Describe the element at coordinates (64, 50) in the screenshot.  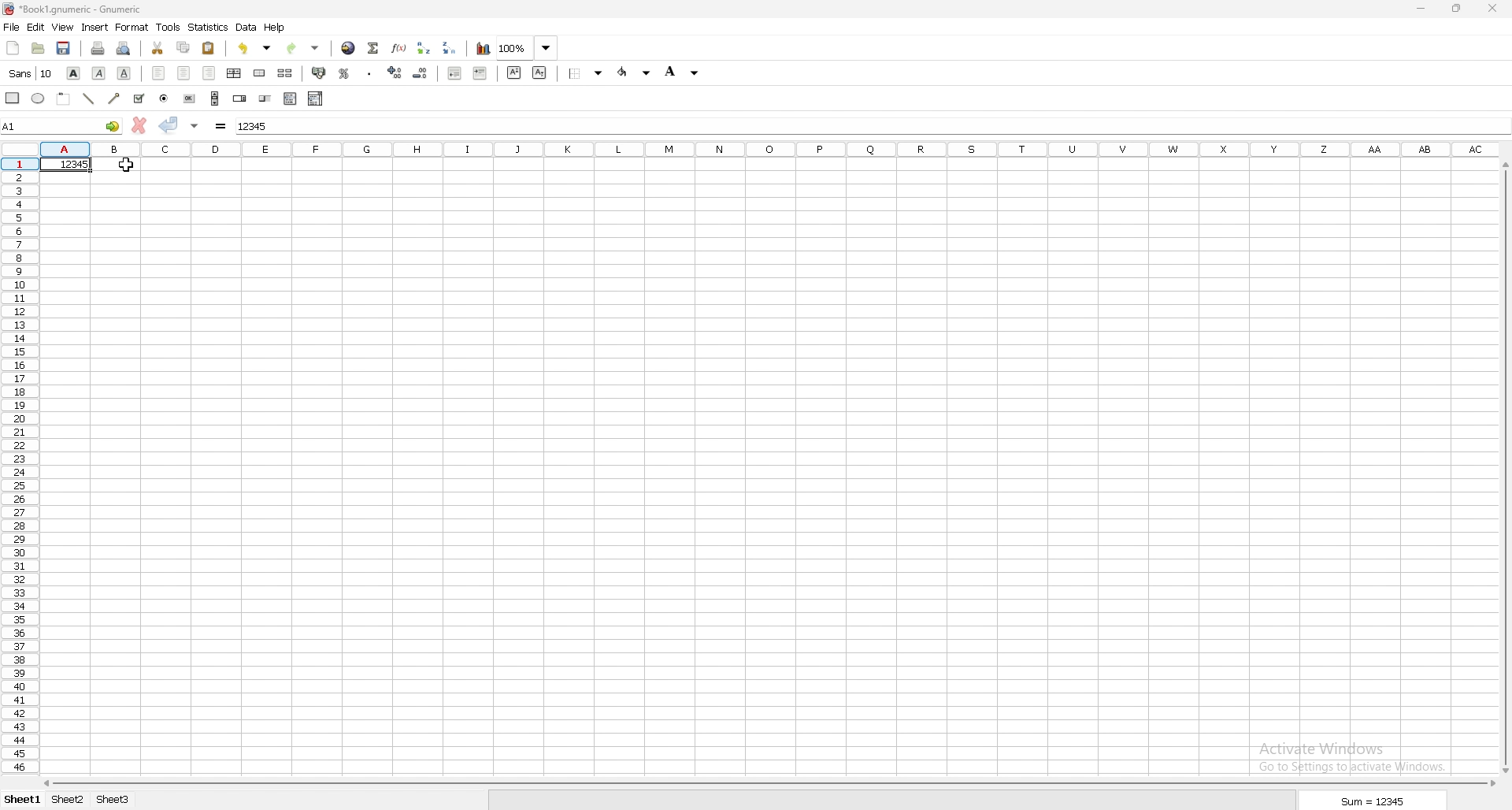
I see `save` at that location.